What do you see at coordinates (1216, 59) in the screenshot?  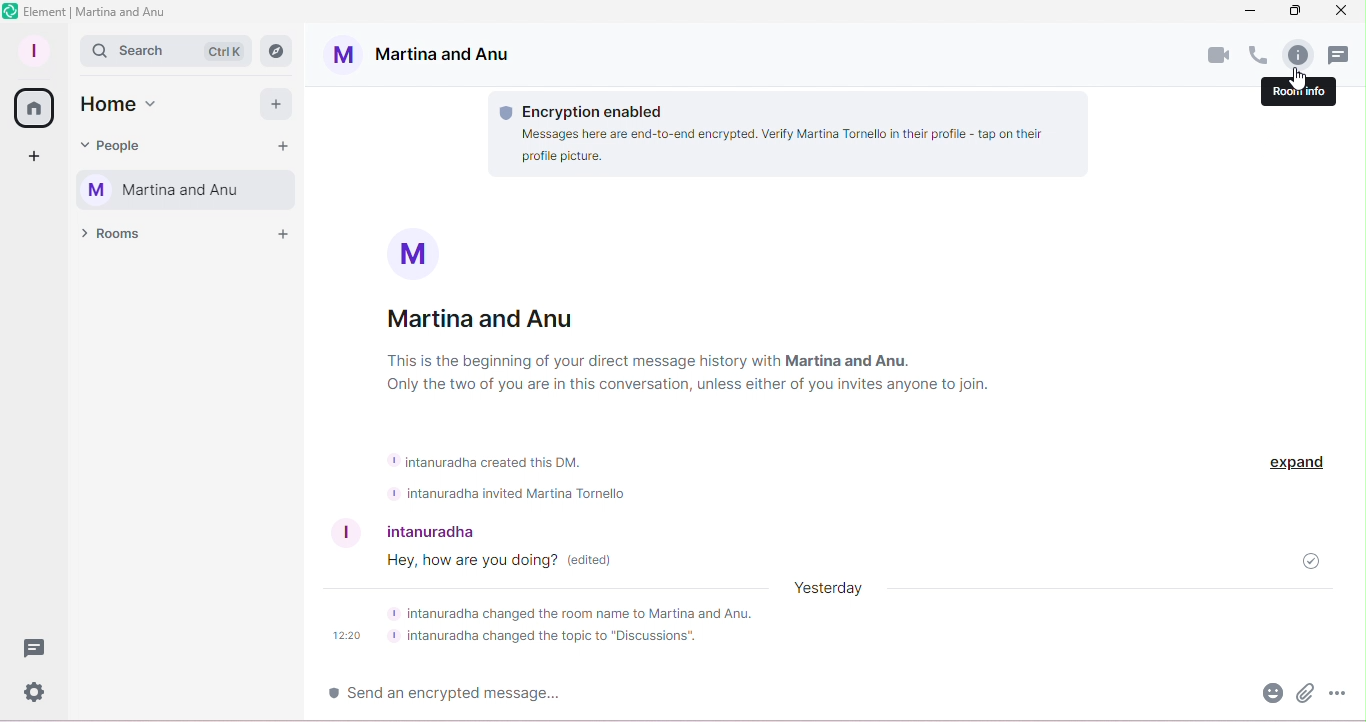 I see `Video call` at bounding box center [1216, 59].